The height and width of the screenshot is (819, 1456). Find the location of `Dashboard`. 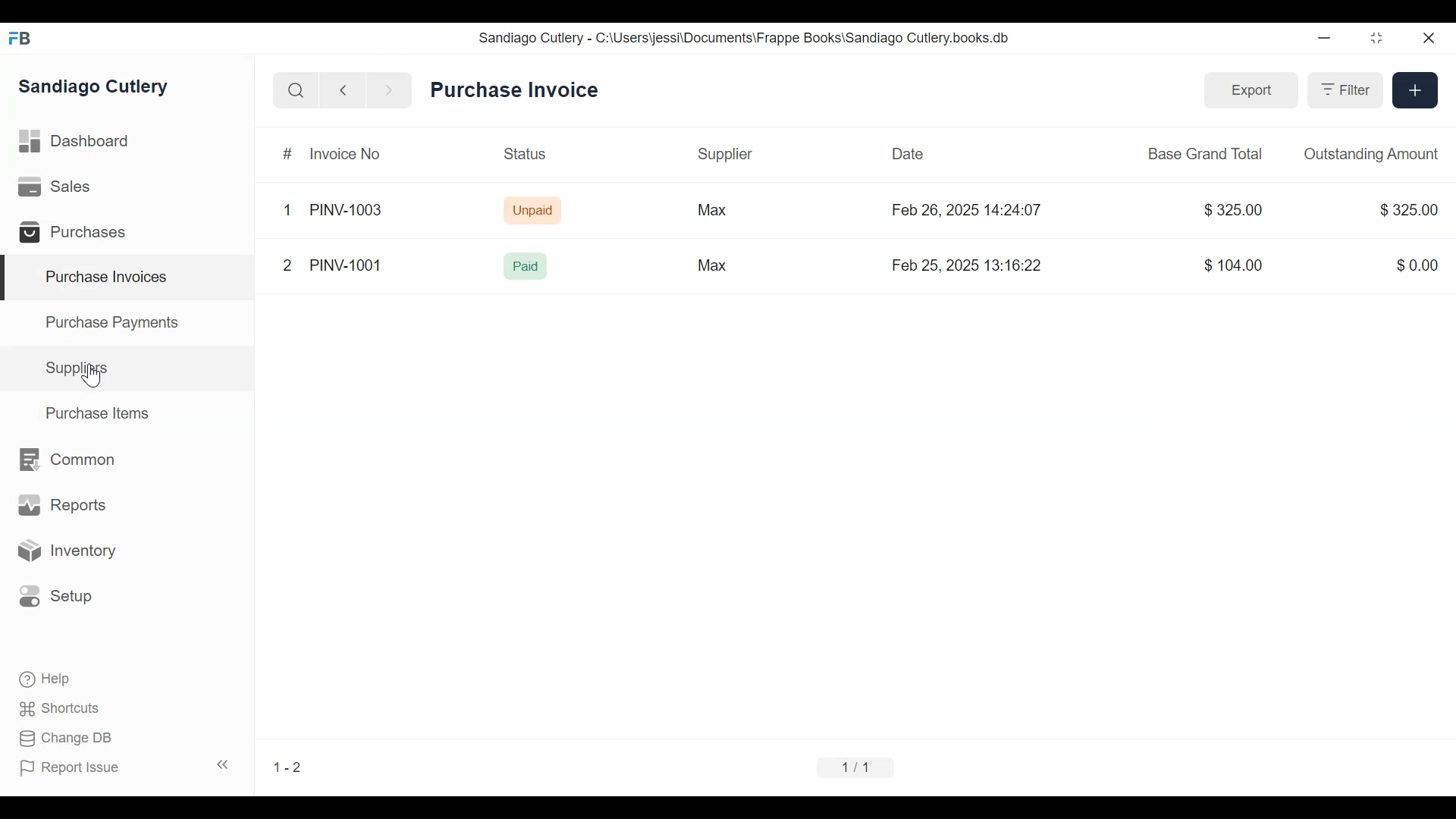

Dashboard is located at coordinates (83, 140).